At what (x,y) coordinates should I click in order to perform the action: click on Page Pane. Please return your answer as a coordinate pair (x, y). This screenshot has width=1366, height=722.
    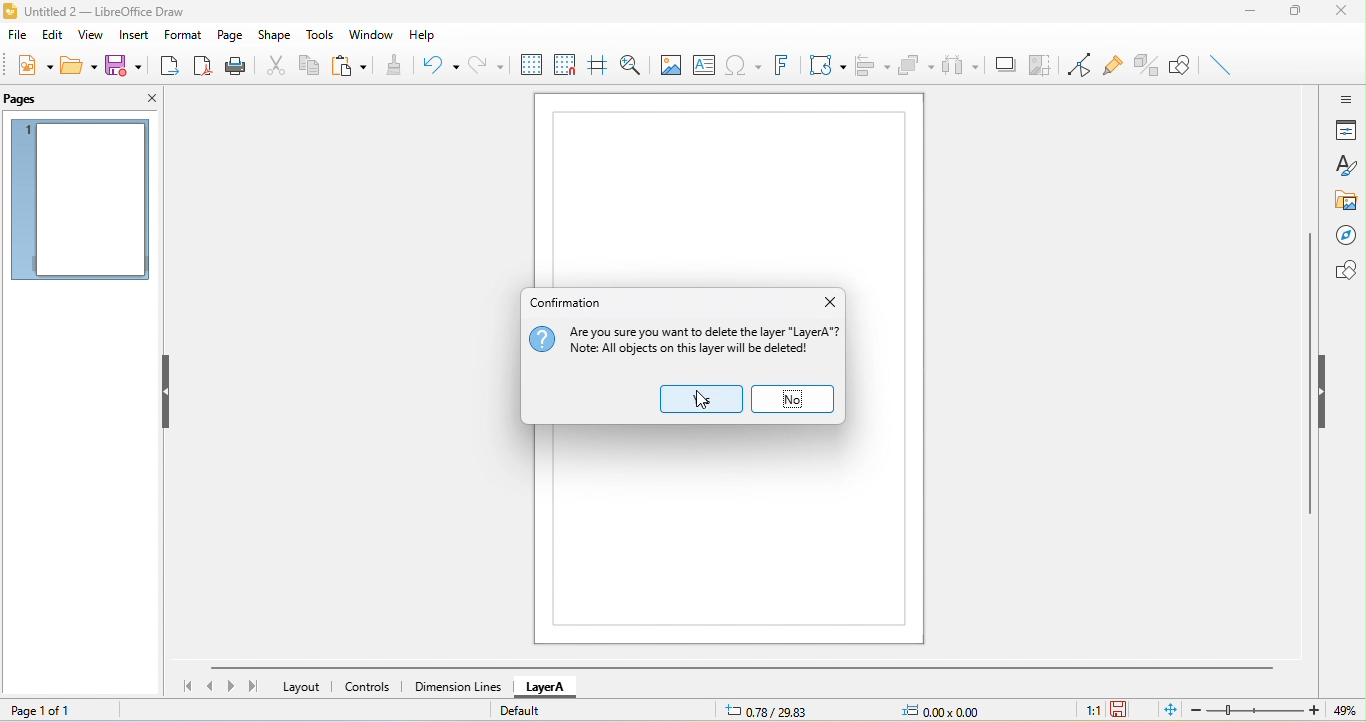
    Looking at the image, I should click on (1147, 65).